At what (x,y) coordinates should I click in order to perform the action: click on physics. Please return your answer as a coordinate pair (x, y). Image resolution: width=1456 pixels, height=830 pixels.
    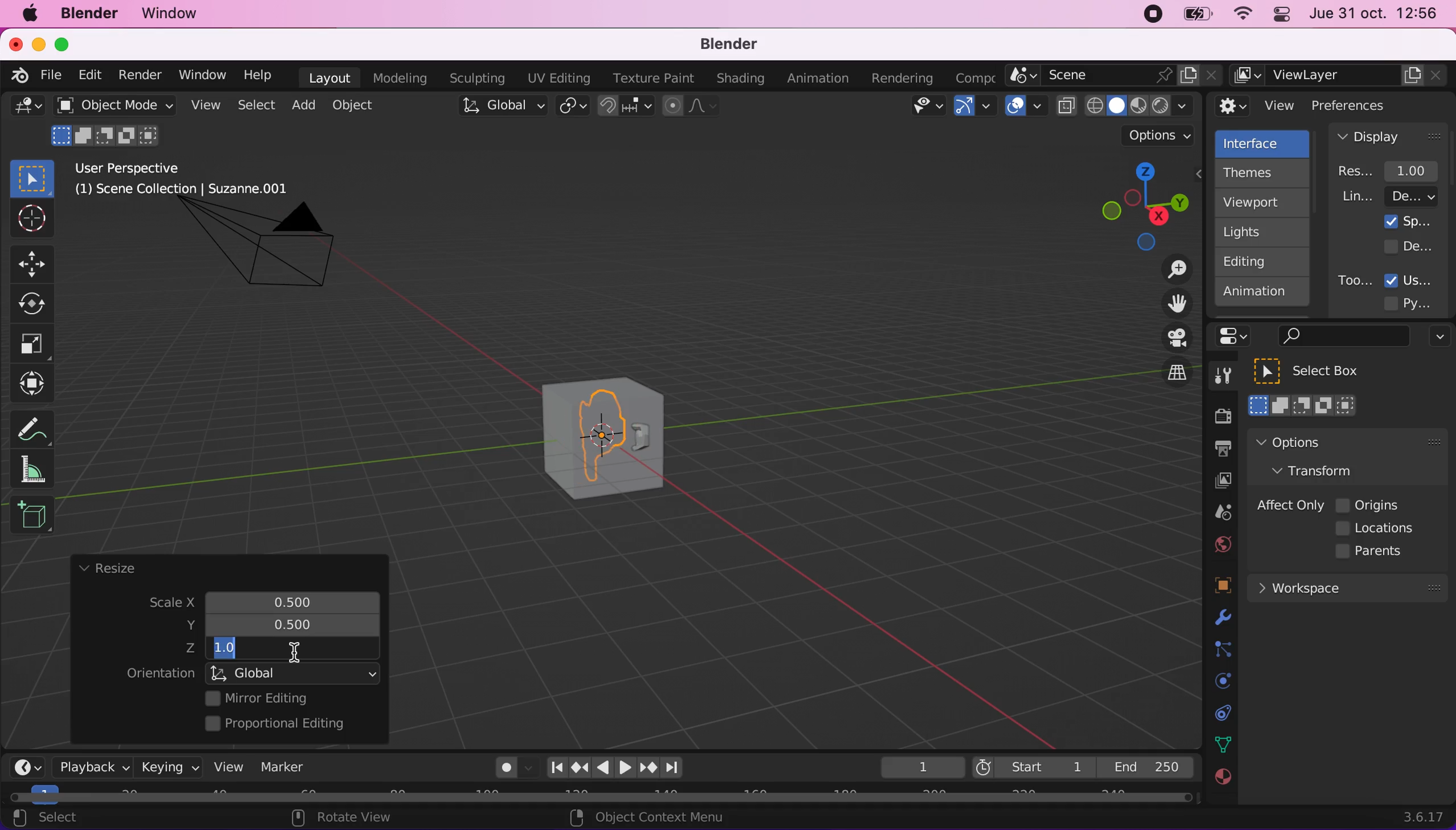
    Looking at the image, I should click on (1220, 619).